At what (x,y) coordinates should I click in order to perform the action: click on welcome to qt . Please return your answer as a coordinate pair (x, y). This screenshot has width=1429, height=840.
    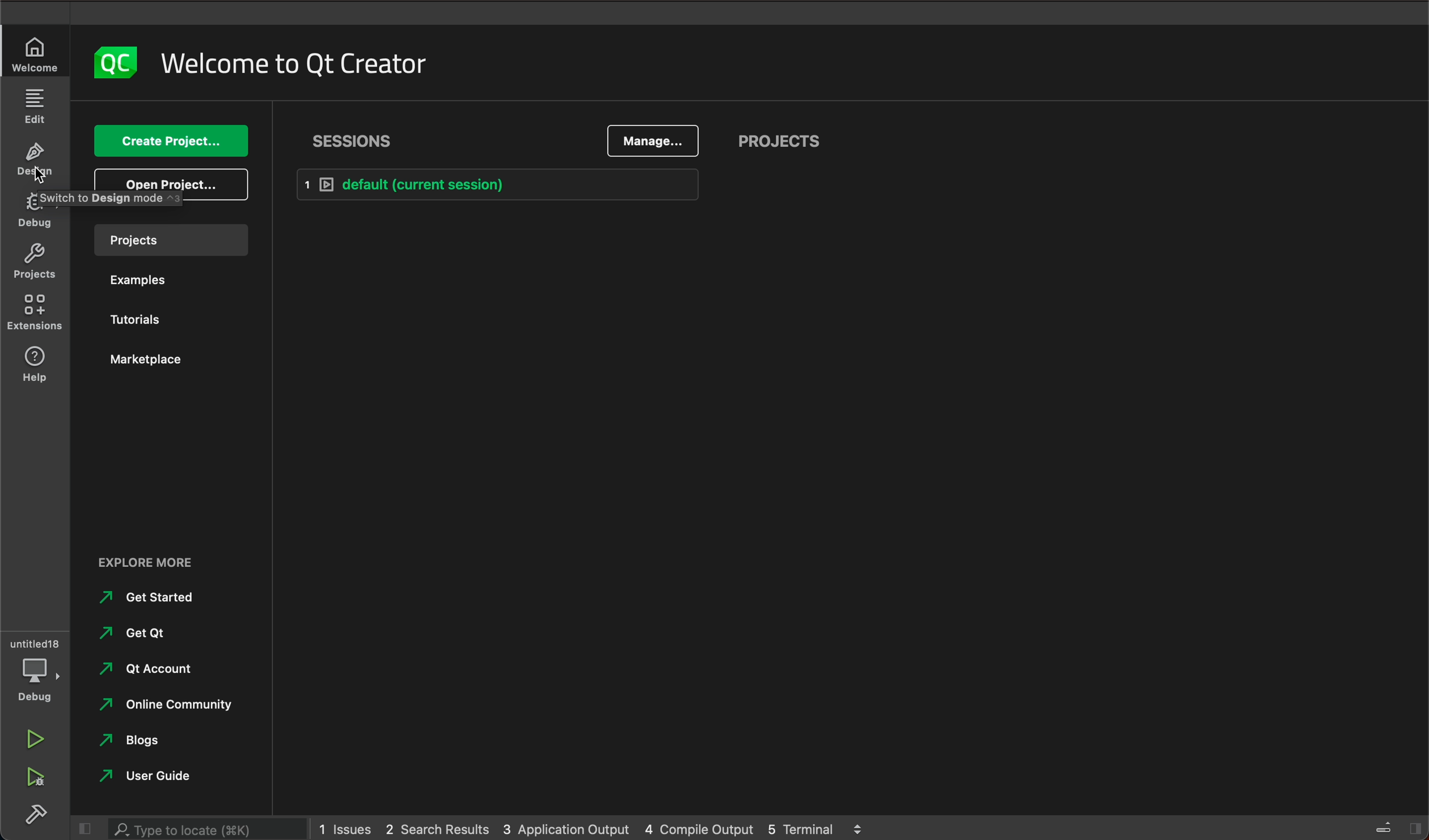
    Looking at the image, I should click on (290, 67).